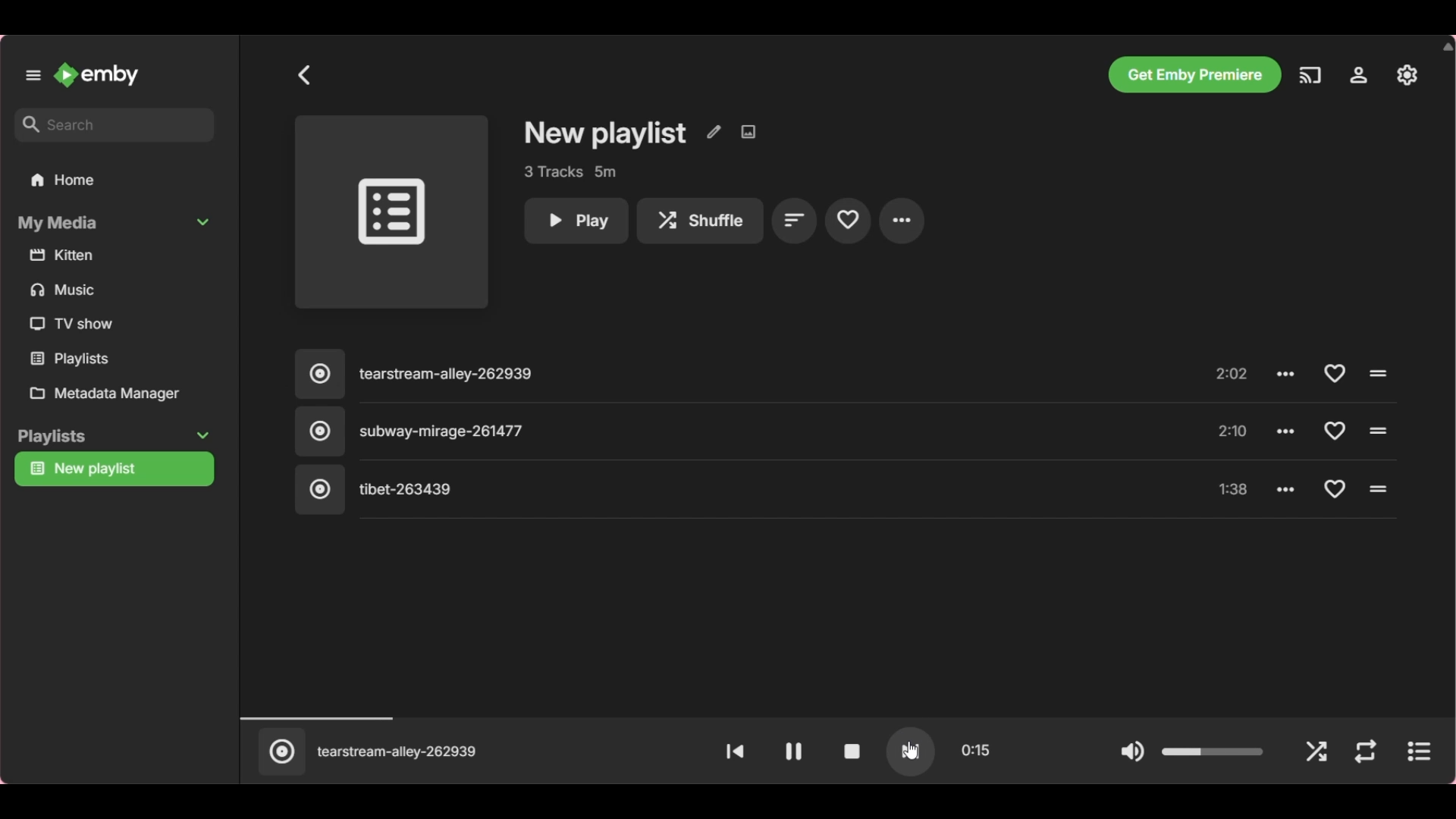 The width and height of the screenshot is (1456, 819). Describe the element at coordinates (747, 132) in the screenshot. I see `Edit image` at that location.